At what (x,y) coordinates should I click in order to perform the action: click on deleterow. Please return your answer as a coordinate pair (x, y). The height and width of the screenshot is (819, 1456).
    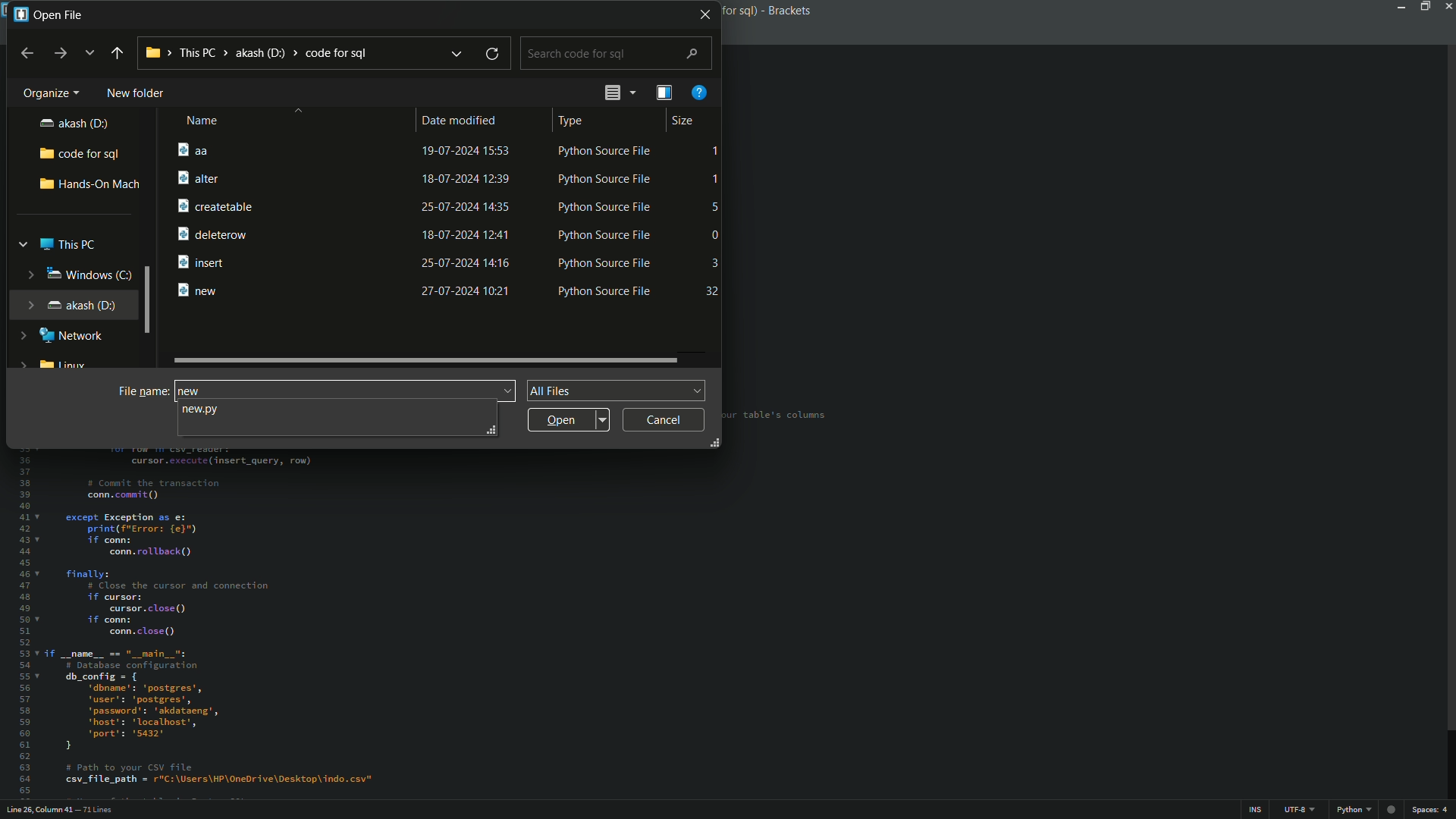
    Looking at the image, I should click on (217, 234).